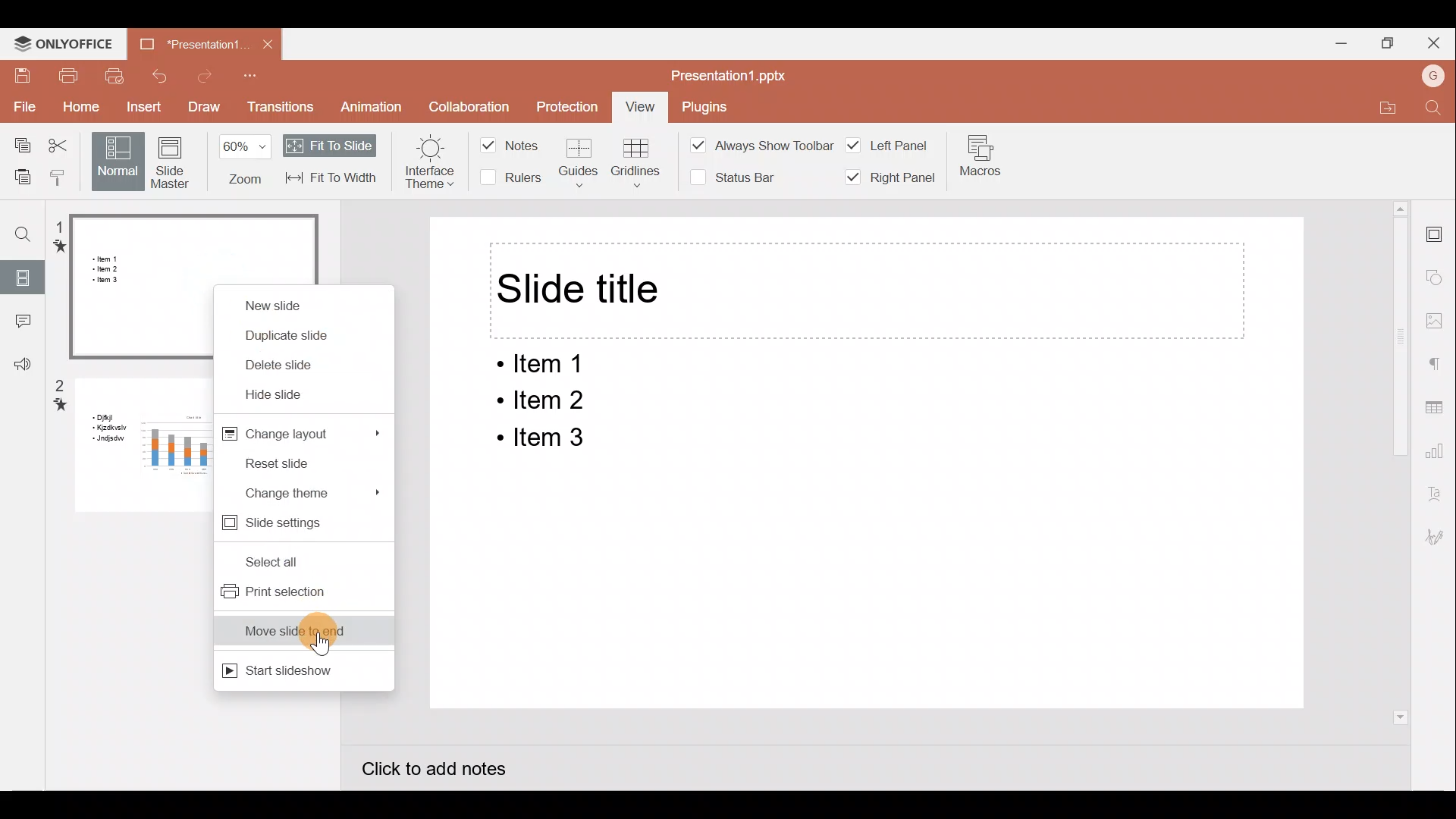 The image size is (1456, 819). I want to click on New slide, so click(313, 304).